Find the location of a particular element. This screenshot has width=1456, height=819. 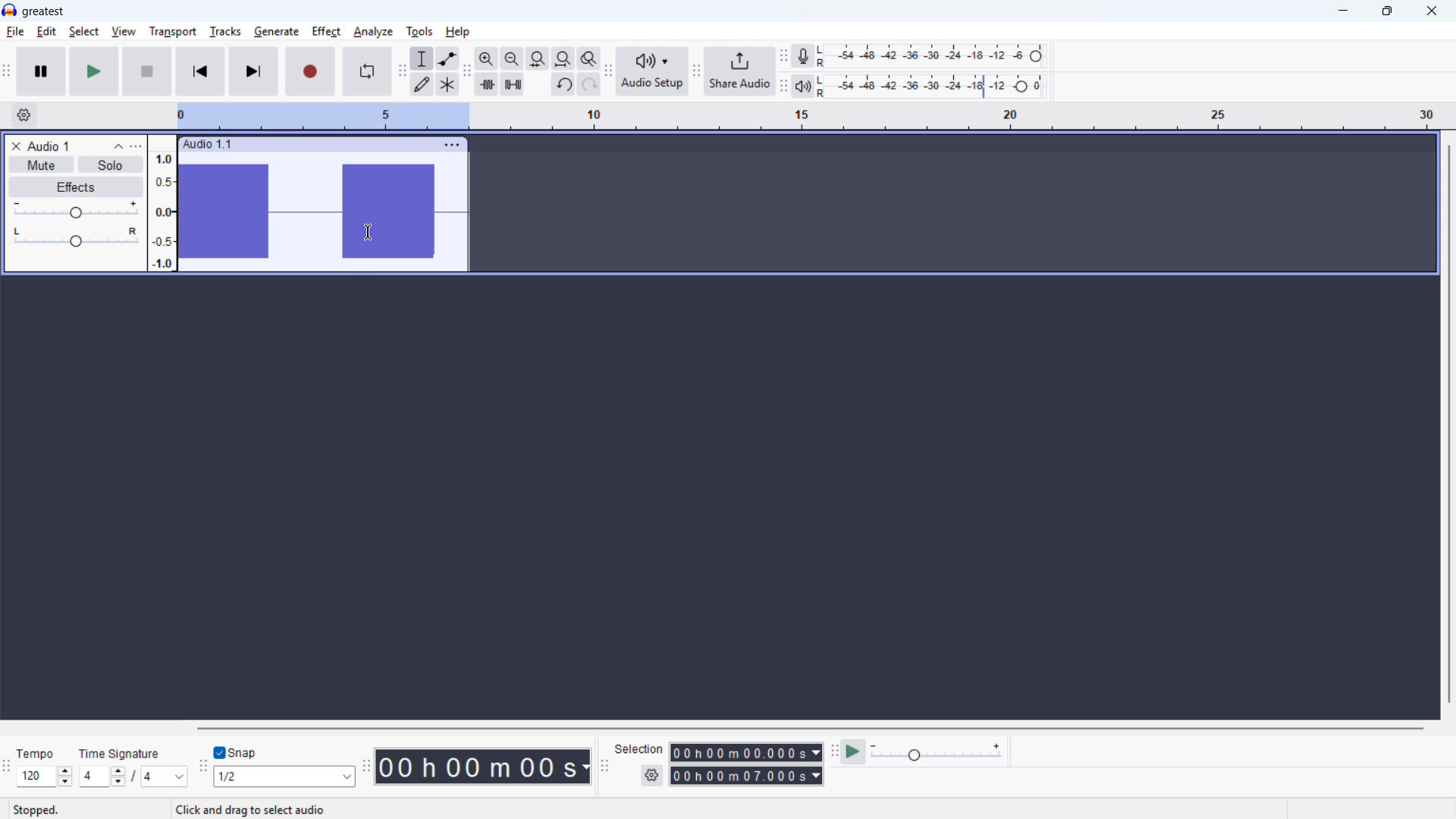

play  is located at coordinates (94, 71).